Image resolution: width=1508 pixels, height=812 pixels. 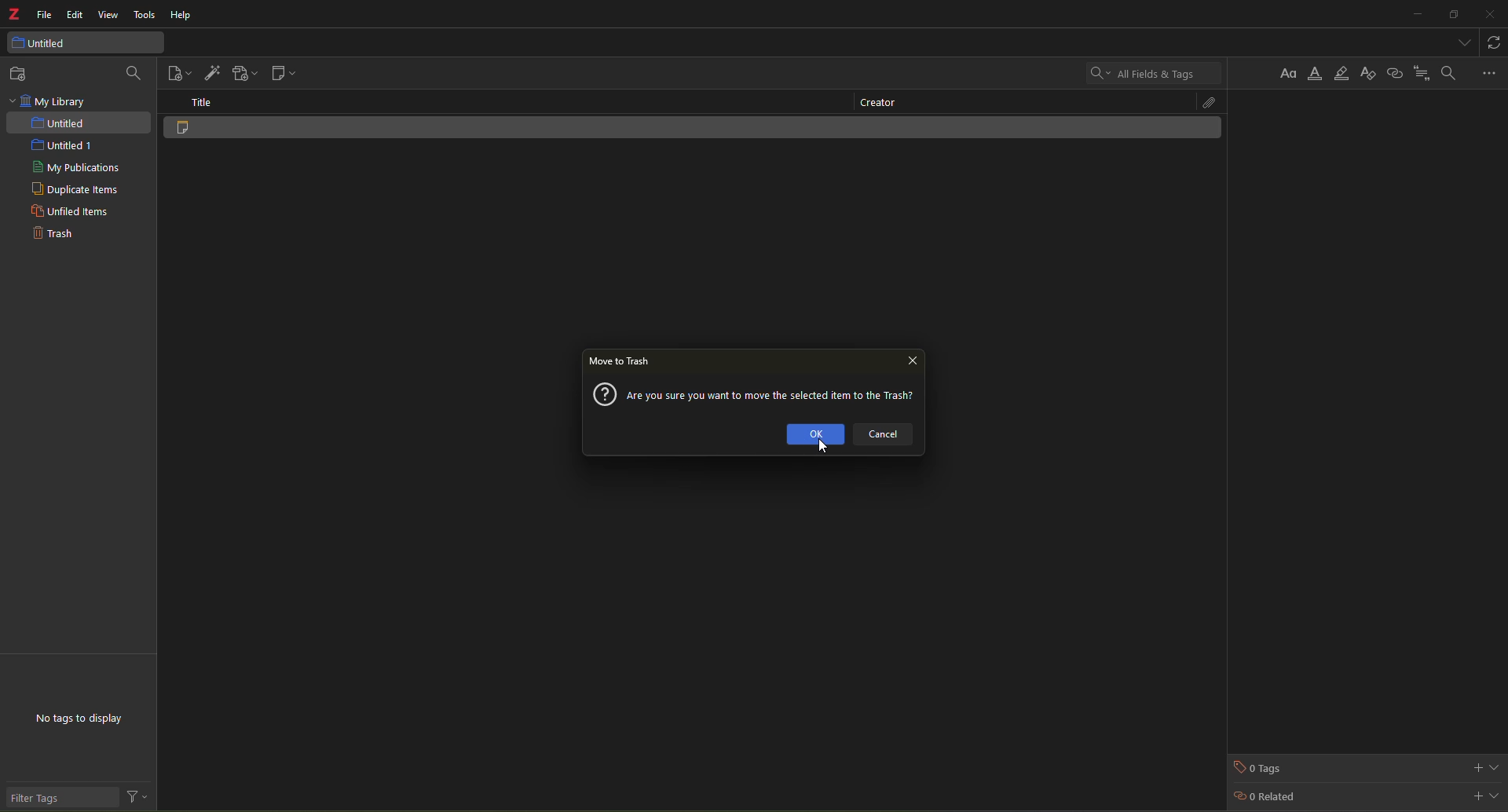 What do you see at coordinates (108, 15) in the screenshot?
I see `view` at bounding box center [108, 15].